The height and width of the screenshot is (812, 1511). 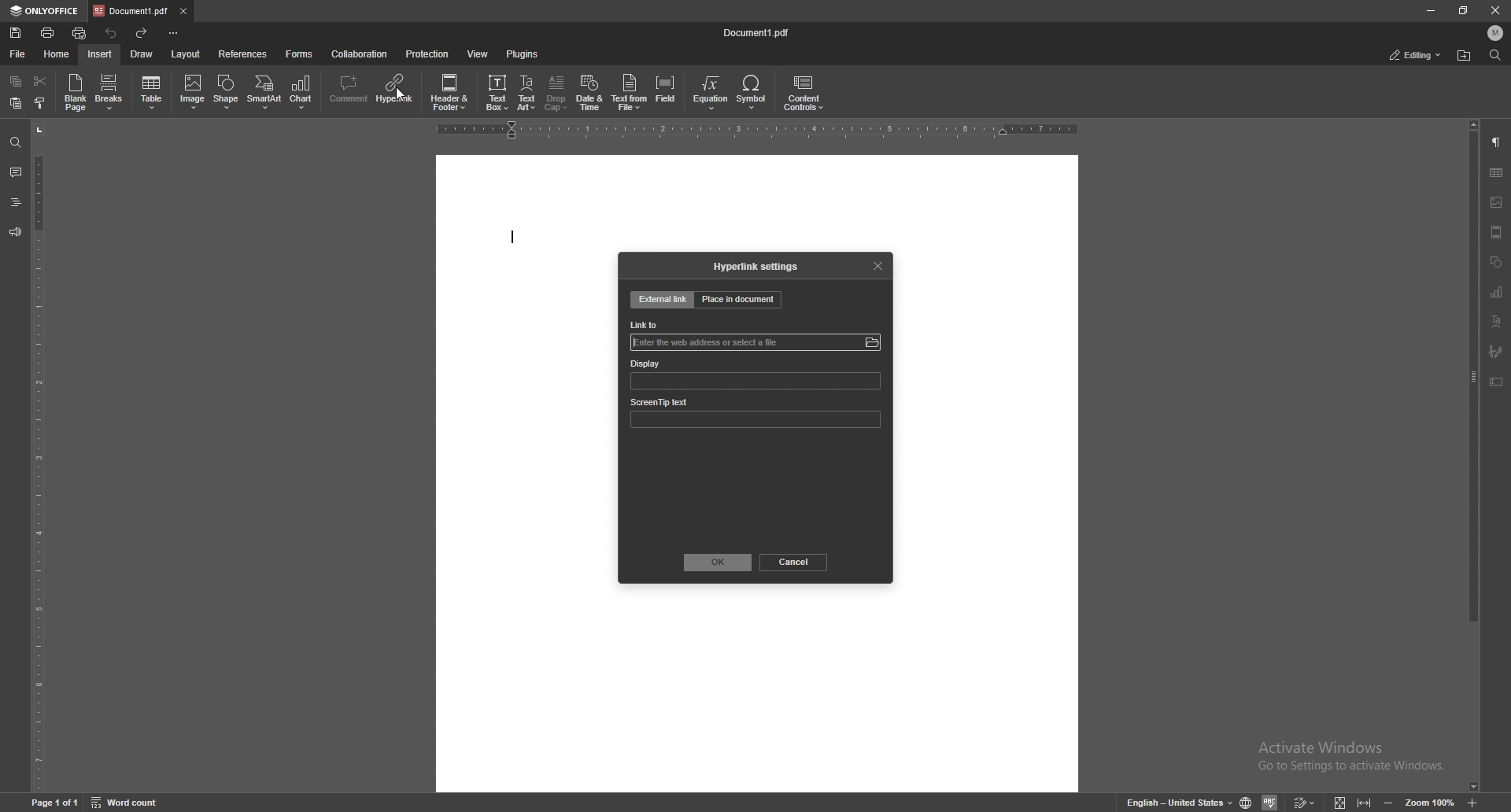 I want to click on protection, so click(x=428, y=54).